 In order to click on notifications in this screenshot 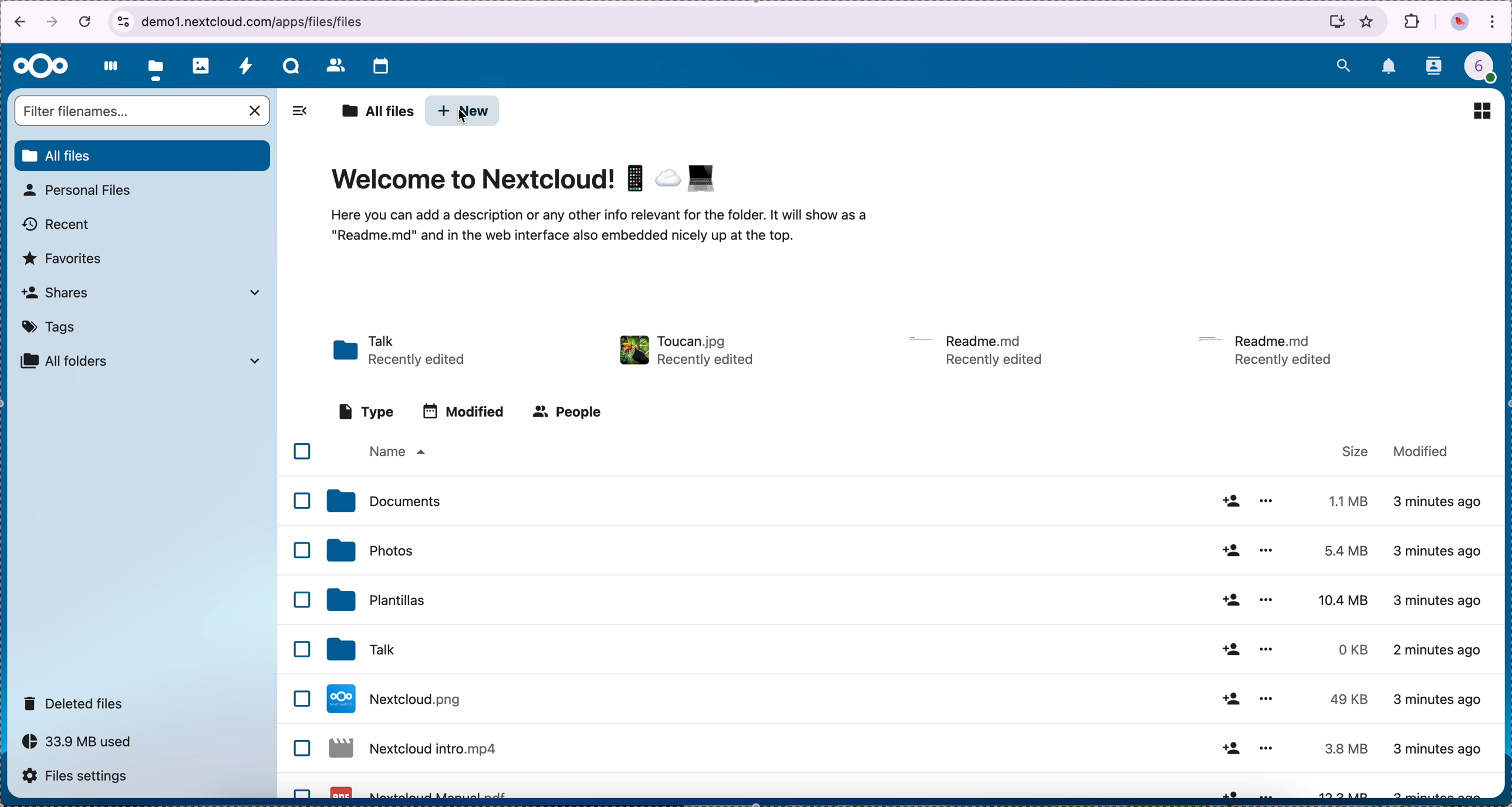, I will do `click(1390, 67)`.